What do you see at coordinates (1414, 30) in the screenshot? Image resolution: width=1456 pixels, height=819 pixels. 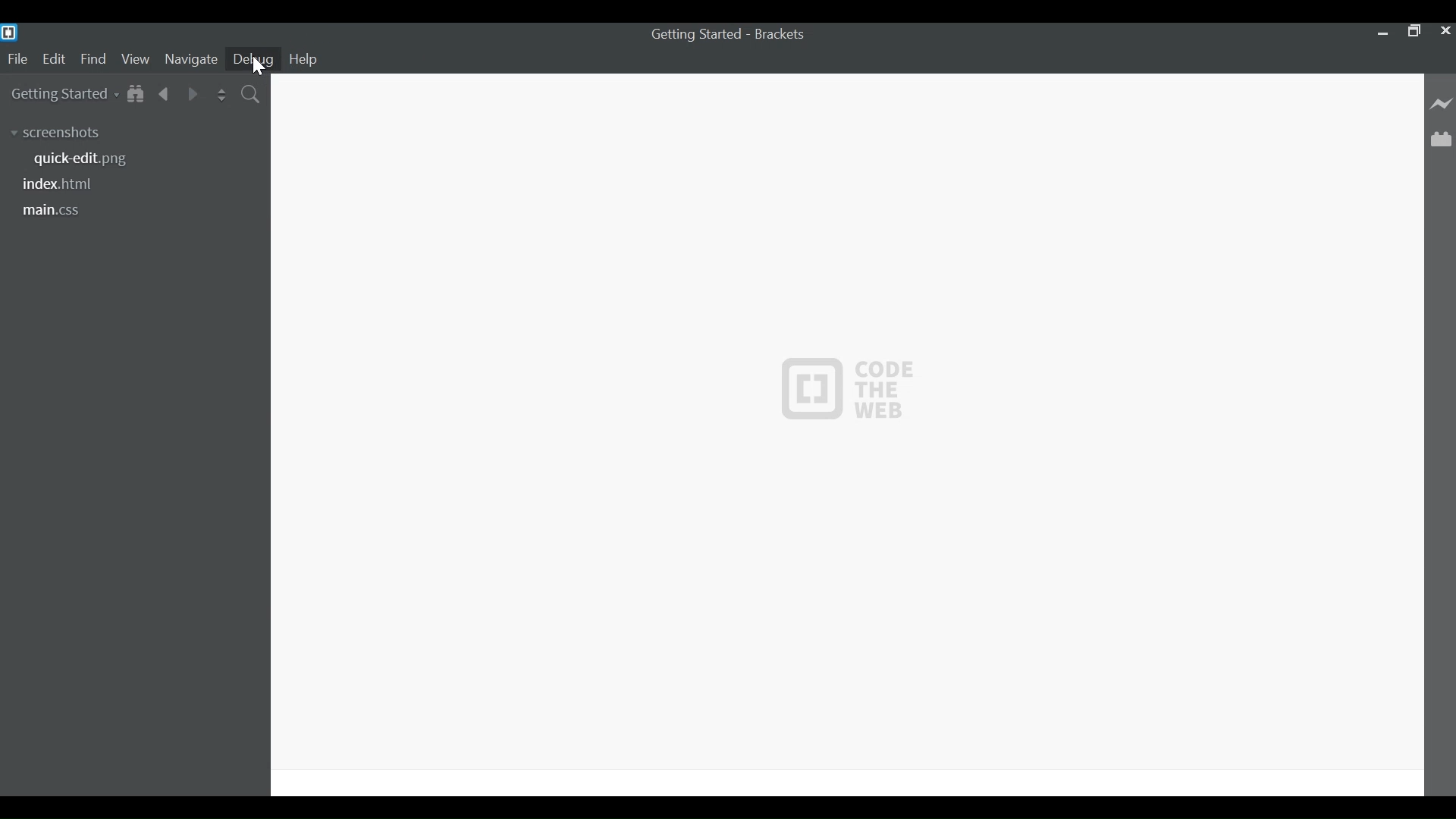 I see `Restore` at bounding box center [1414, 30].